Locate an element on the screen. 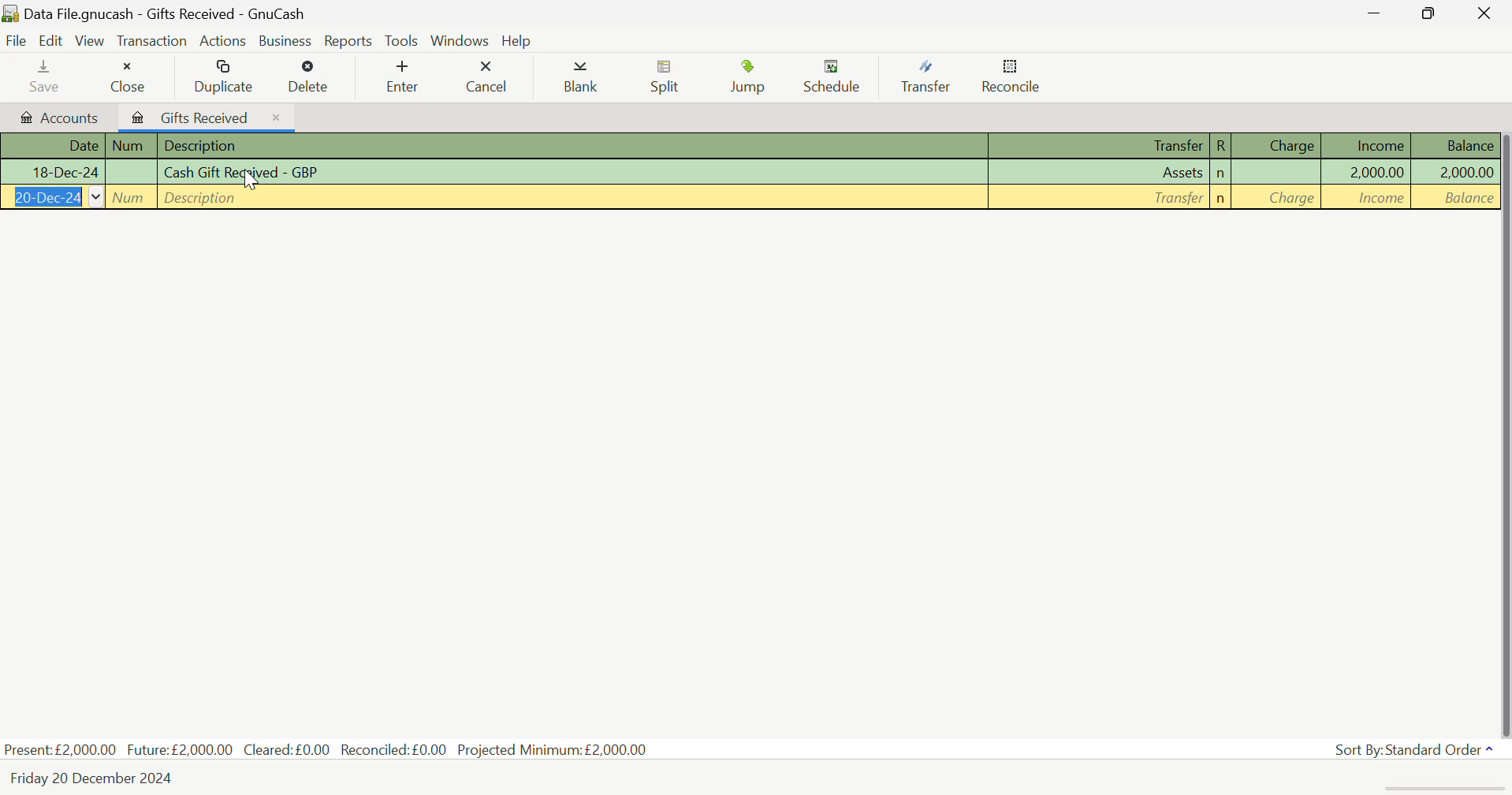  Assets is located at coordinates (1101, 174).